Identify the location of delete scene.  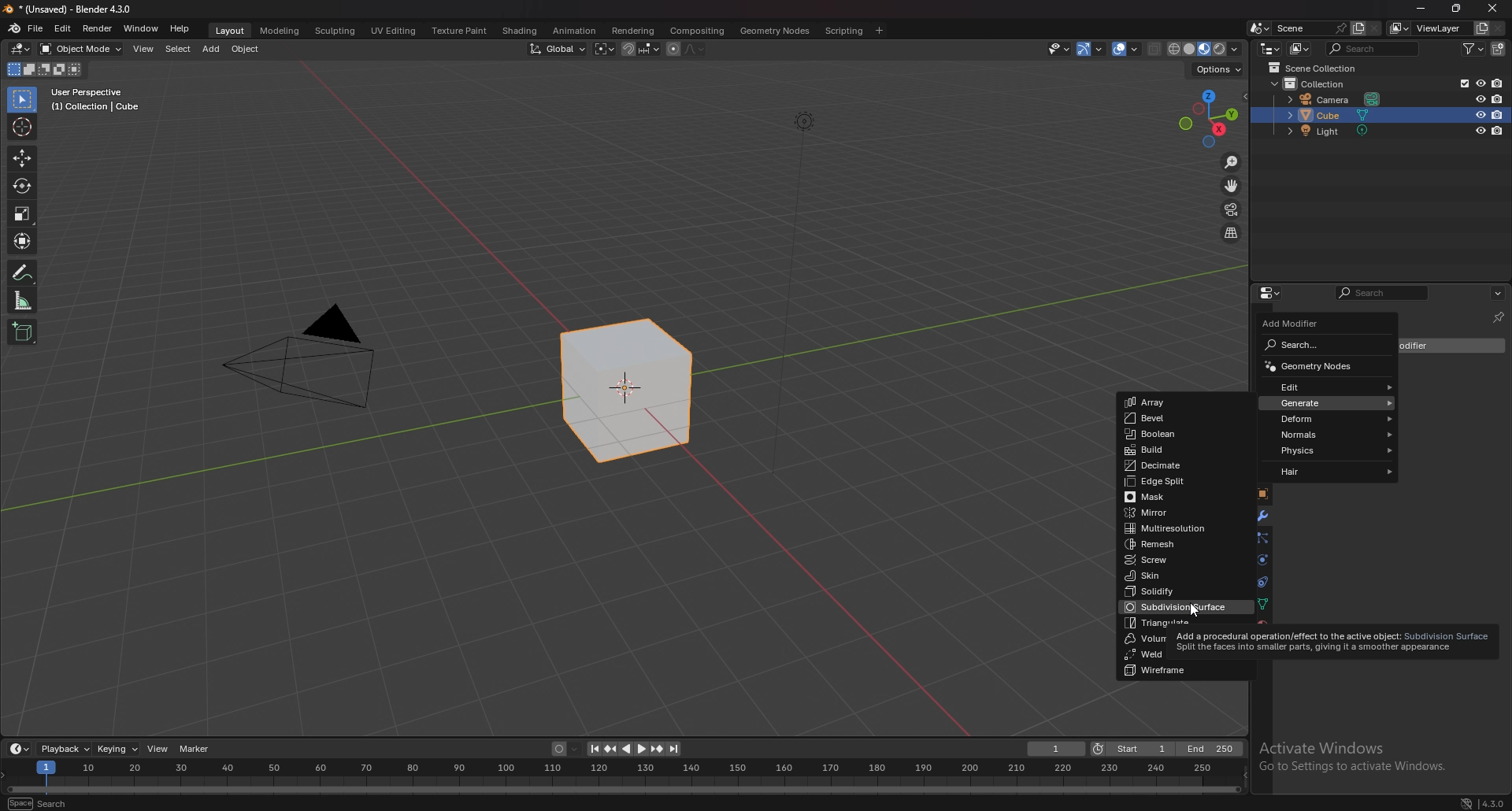
(1374, 28).